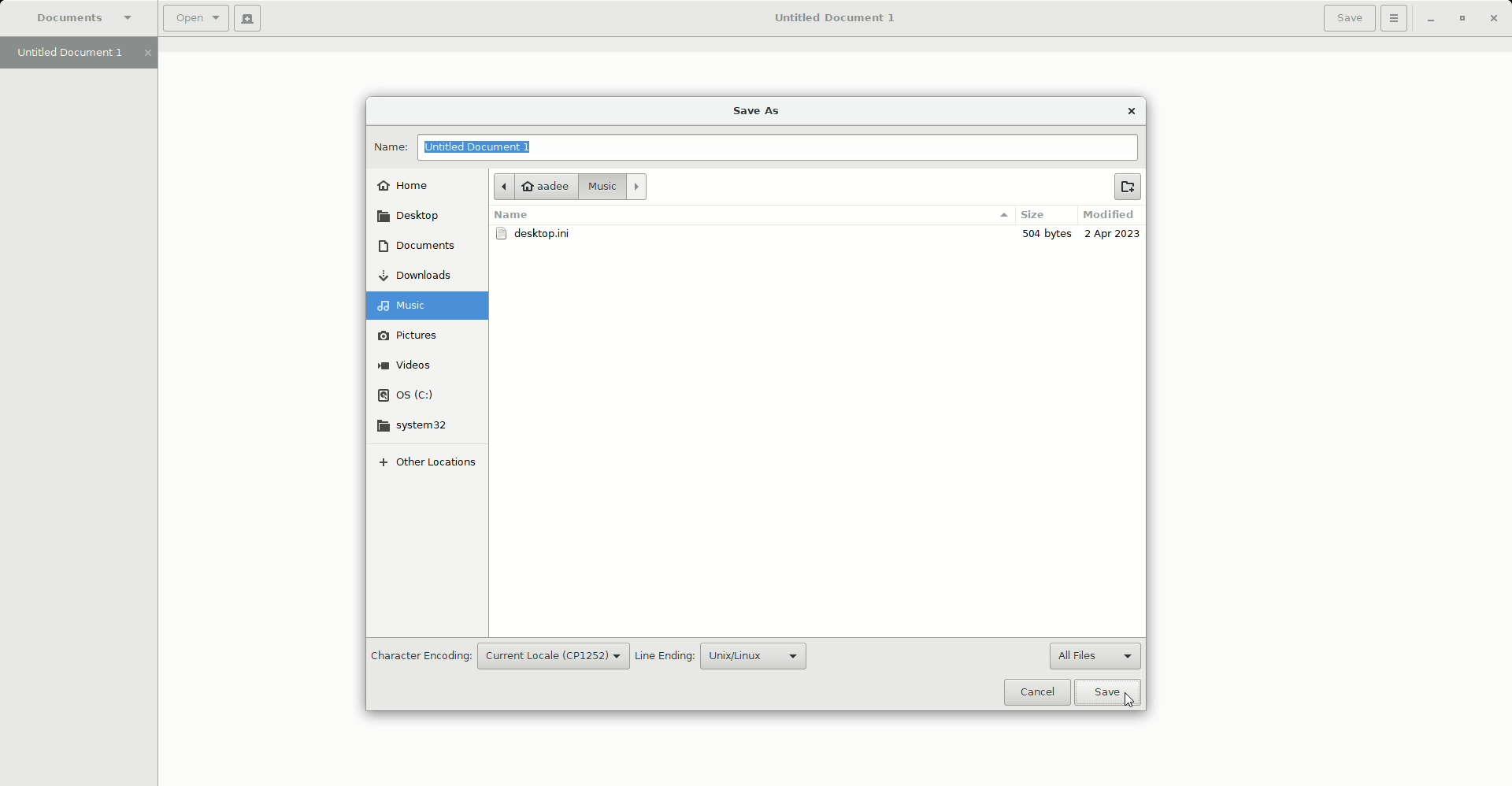 The width and height of the screenshot is (1512, 786). I want to click on Name, so click(513, 215).